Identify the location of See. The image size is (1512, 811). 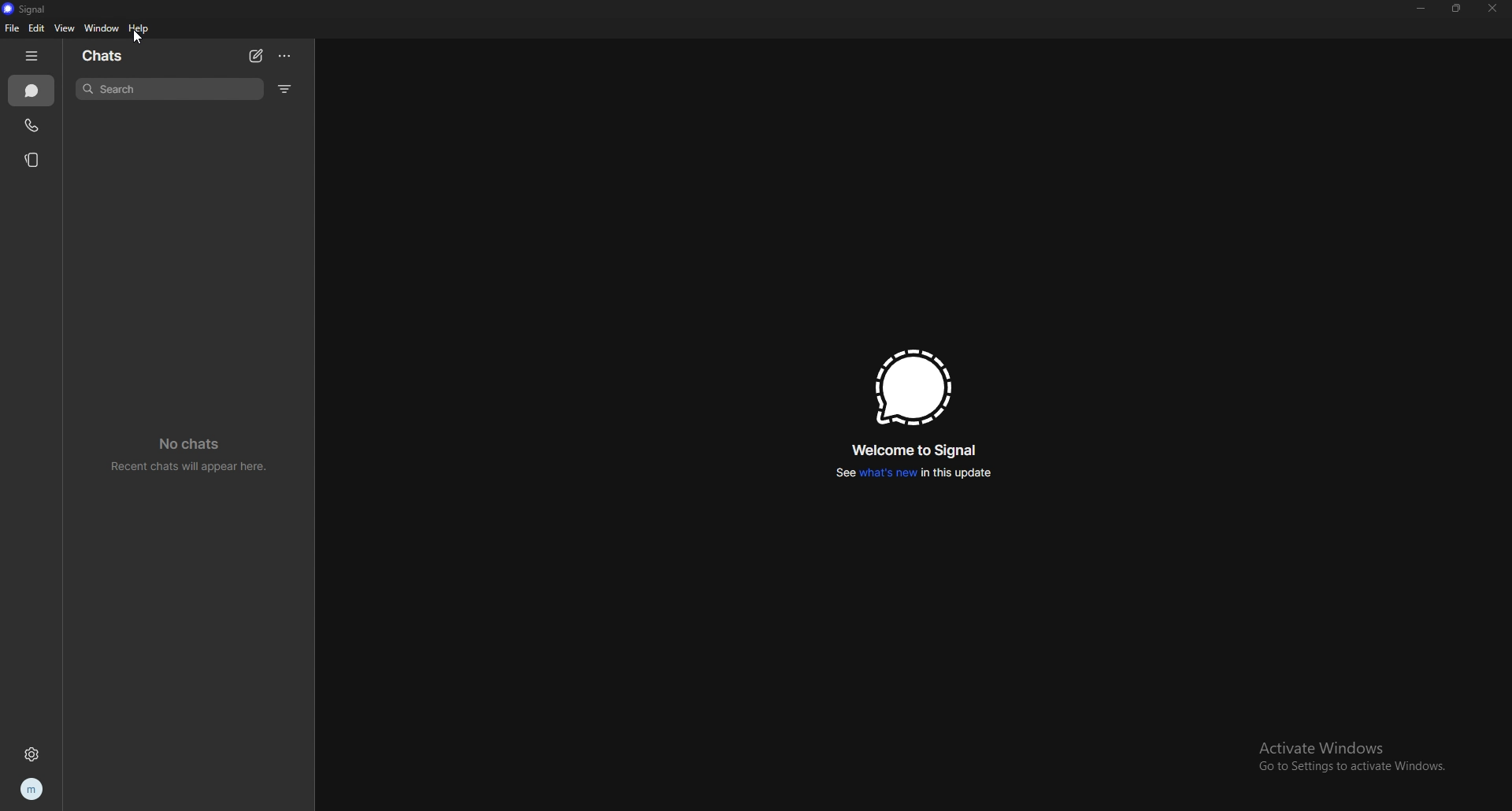
(839, 475).